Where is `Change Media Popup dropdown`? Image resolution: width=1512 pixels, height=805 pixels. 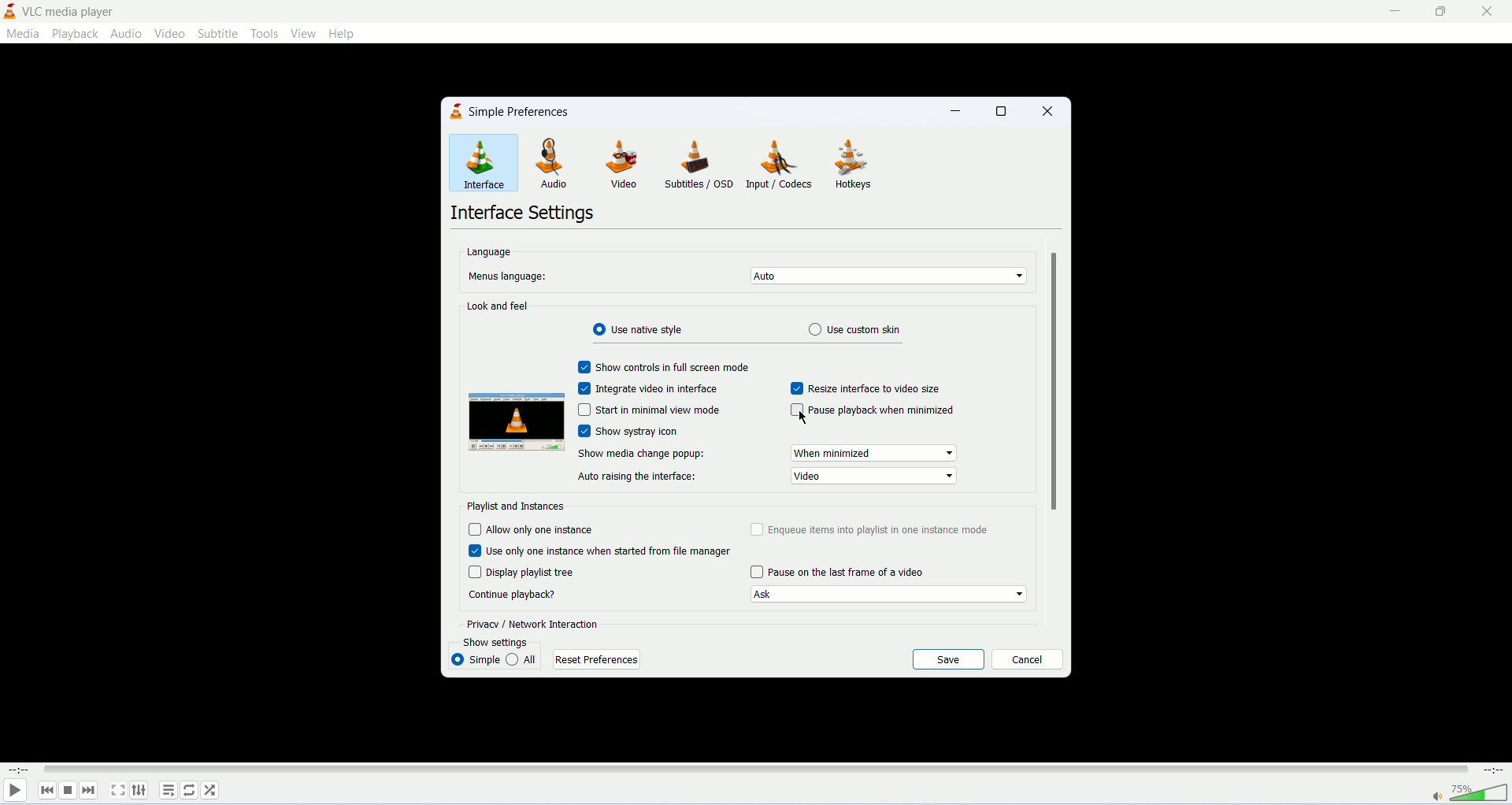
Change Media Popup dropdown is located at coordinates (876, 453).